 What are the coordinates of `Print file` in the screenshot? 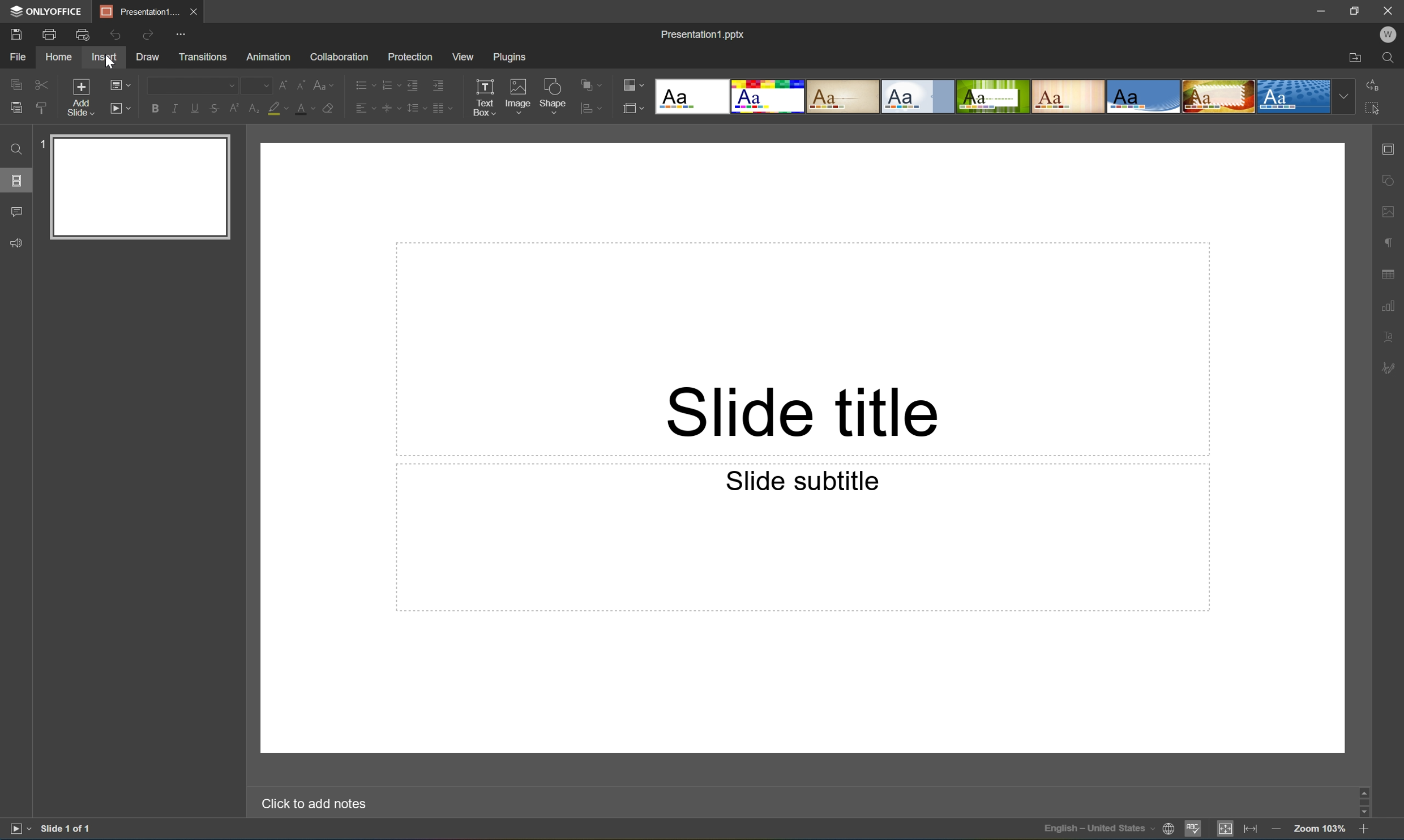 It's located at (52, 33).